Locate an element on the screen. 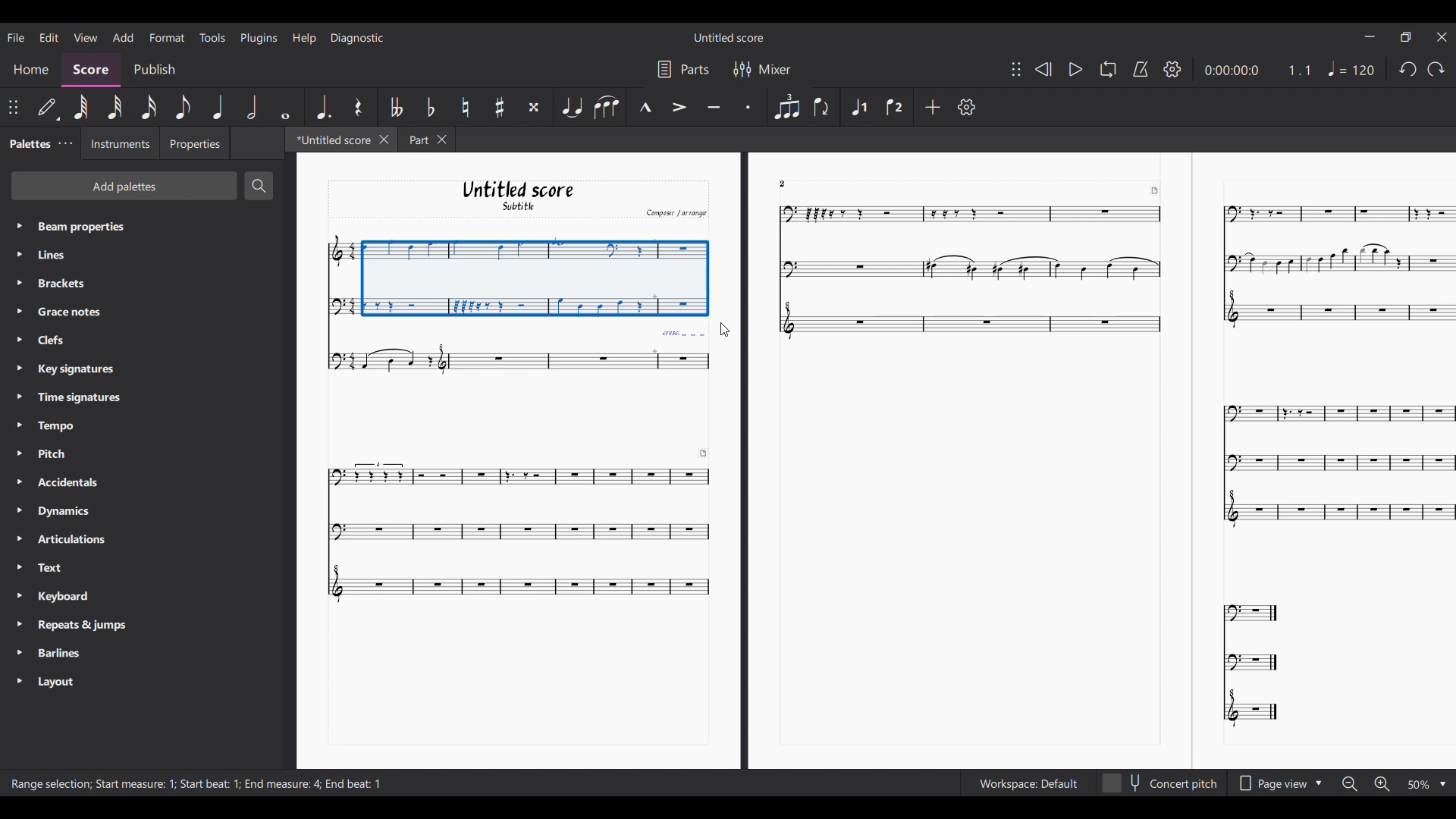 This screenshot has height=819, width=1456. Tools is located at coordinates (212, 37).